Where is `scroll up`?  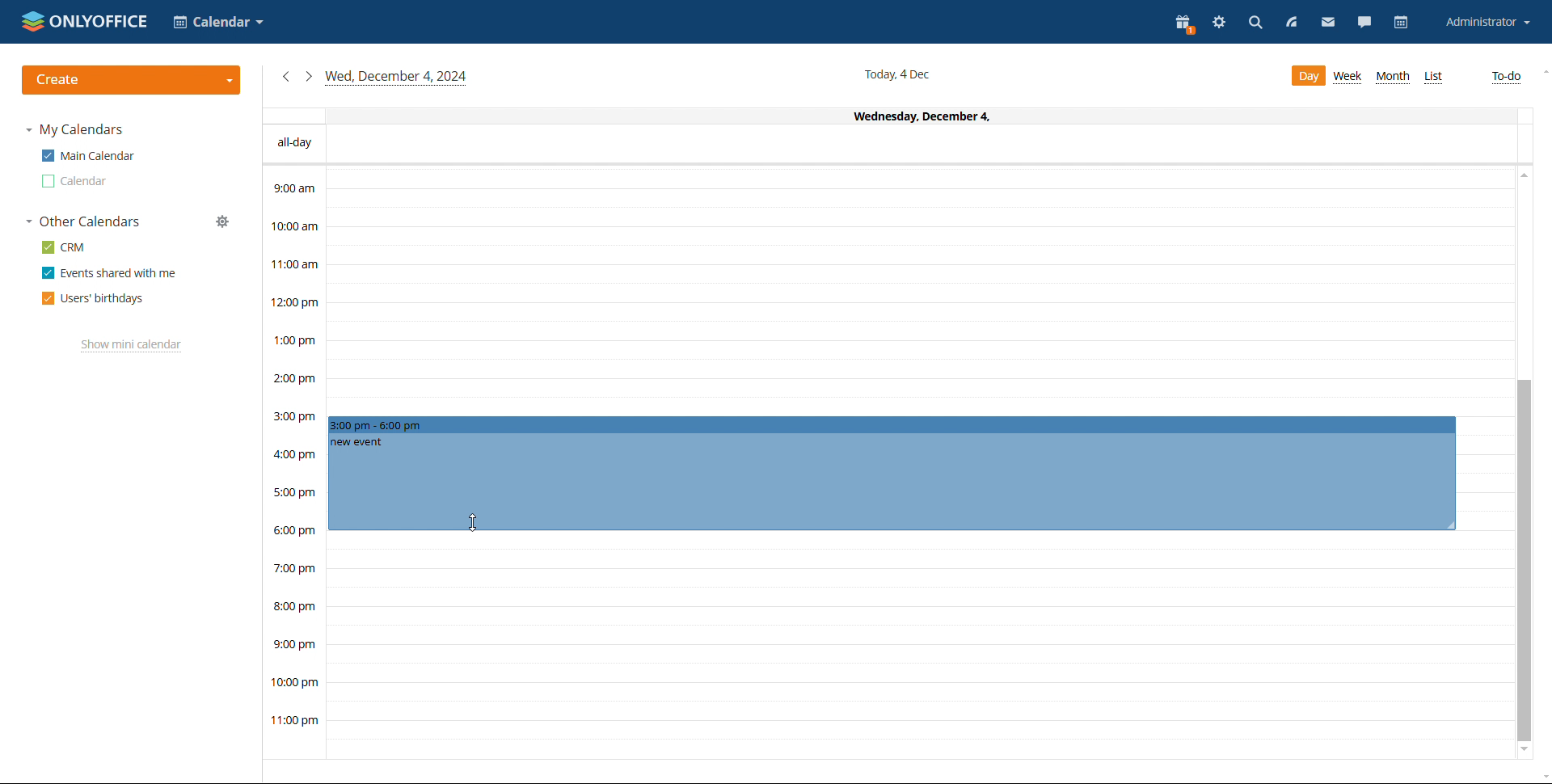 scroll up is located at coordinates (1522, 178).